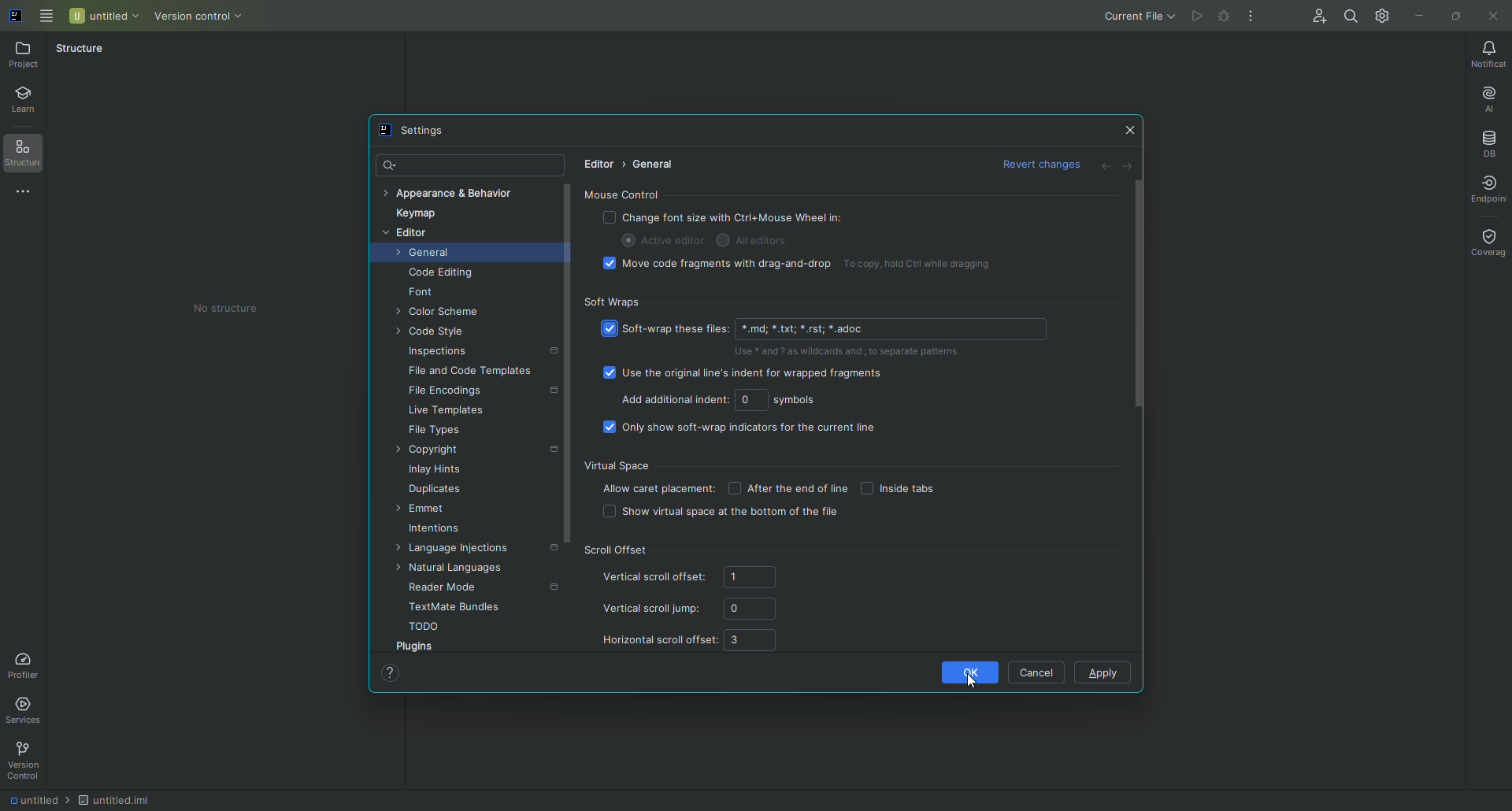 The width and height of the screenshot is (1512, 811). What do you see at coordinates (1037, 671) in the screenshot?
I see `Cancel` at bounding box center [1037, 671].